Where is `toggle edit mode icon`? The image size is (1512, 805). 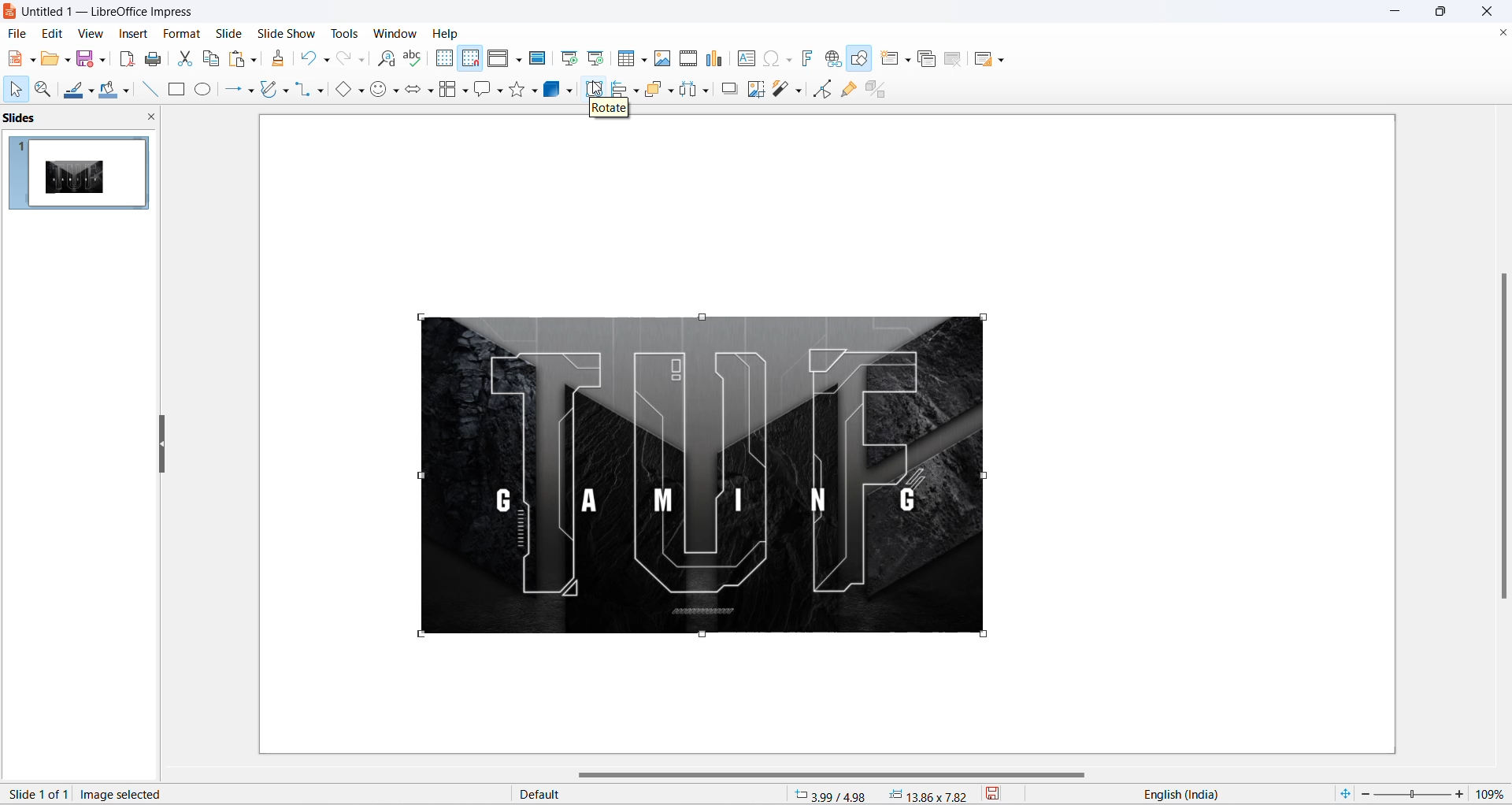
toggle edit mode icon is located at coordinates (825, 88).